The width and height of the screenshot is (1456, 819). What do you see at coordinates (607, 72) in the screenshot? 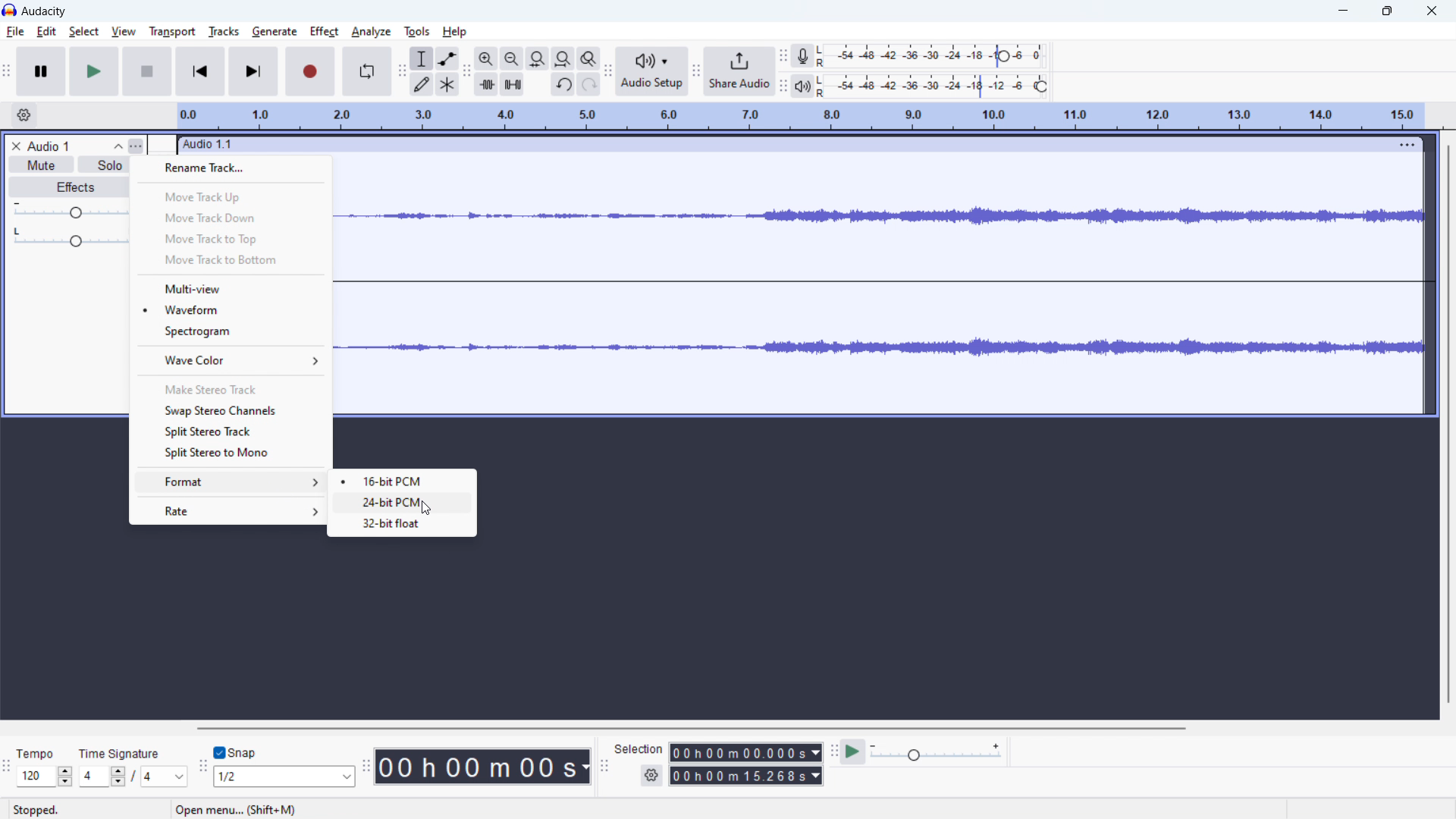
I see `audio setup toolbar` at bounding box center [607, 72].